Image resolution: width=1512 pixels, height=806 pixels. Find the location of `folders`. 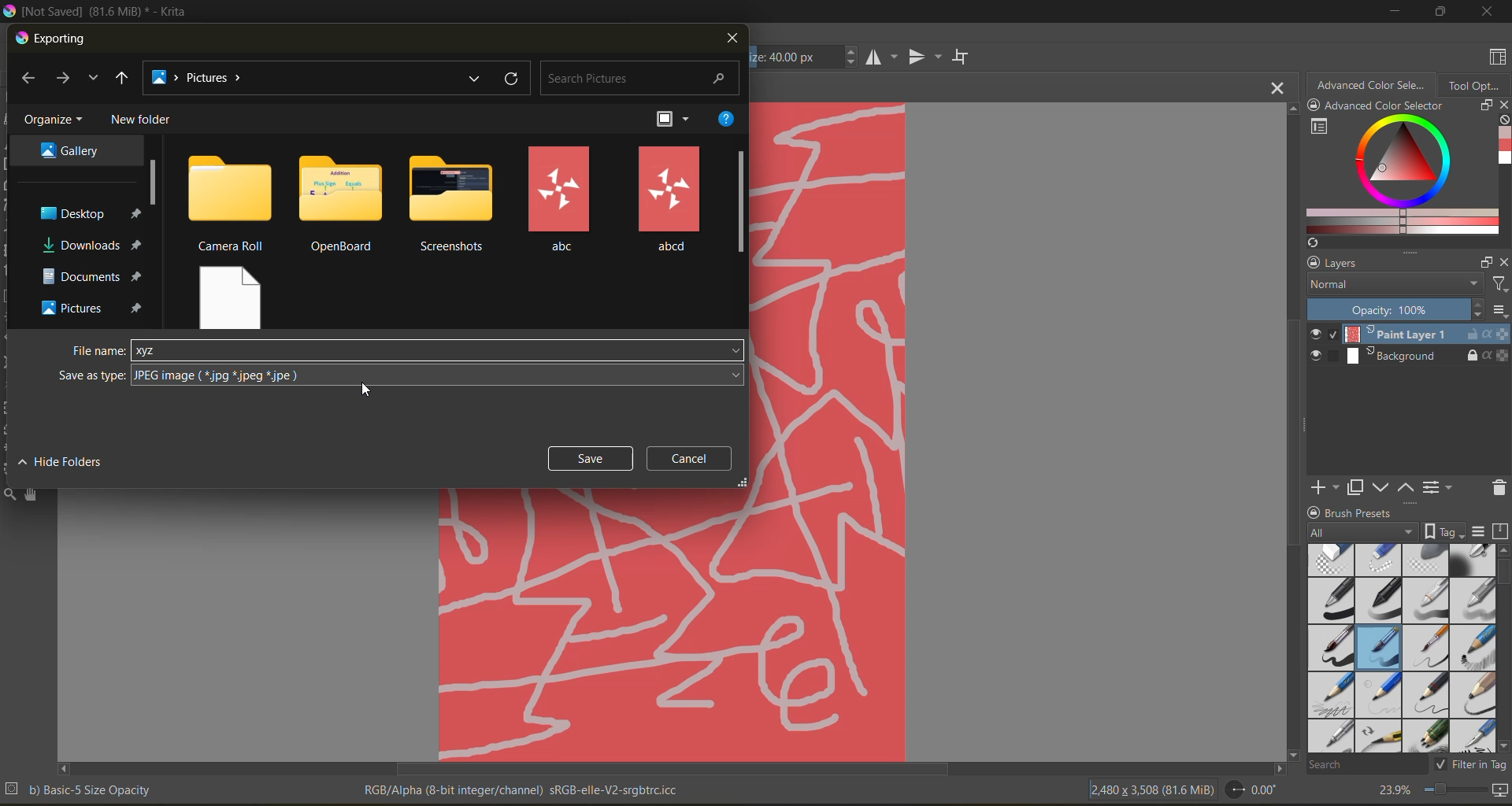

folders is located at coordinates (342, 204).